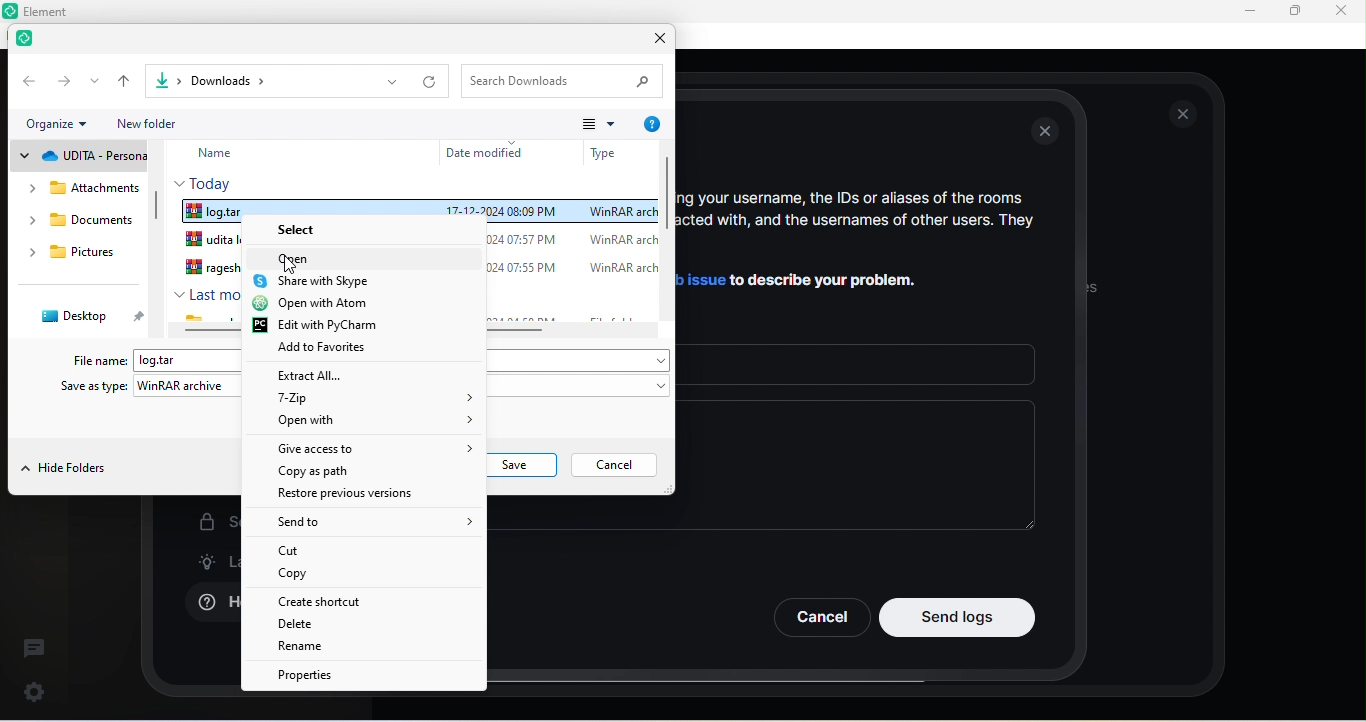 Image resolution: width=1366 pixels, height=722 pixels. Describe the element at coordinates (351, 523) in the screenshot. I see `send to` at that location.